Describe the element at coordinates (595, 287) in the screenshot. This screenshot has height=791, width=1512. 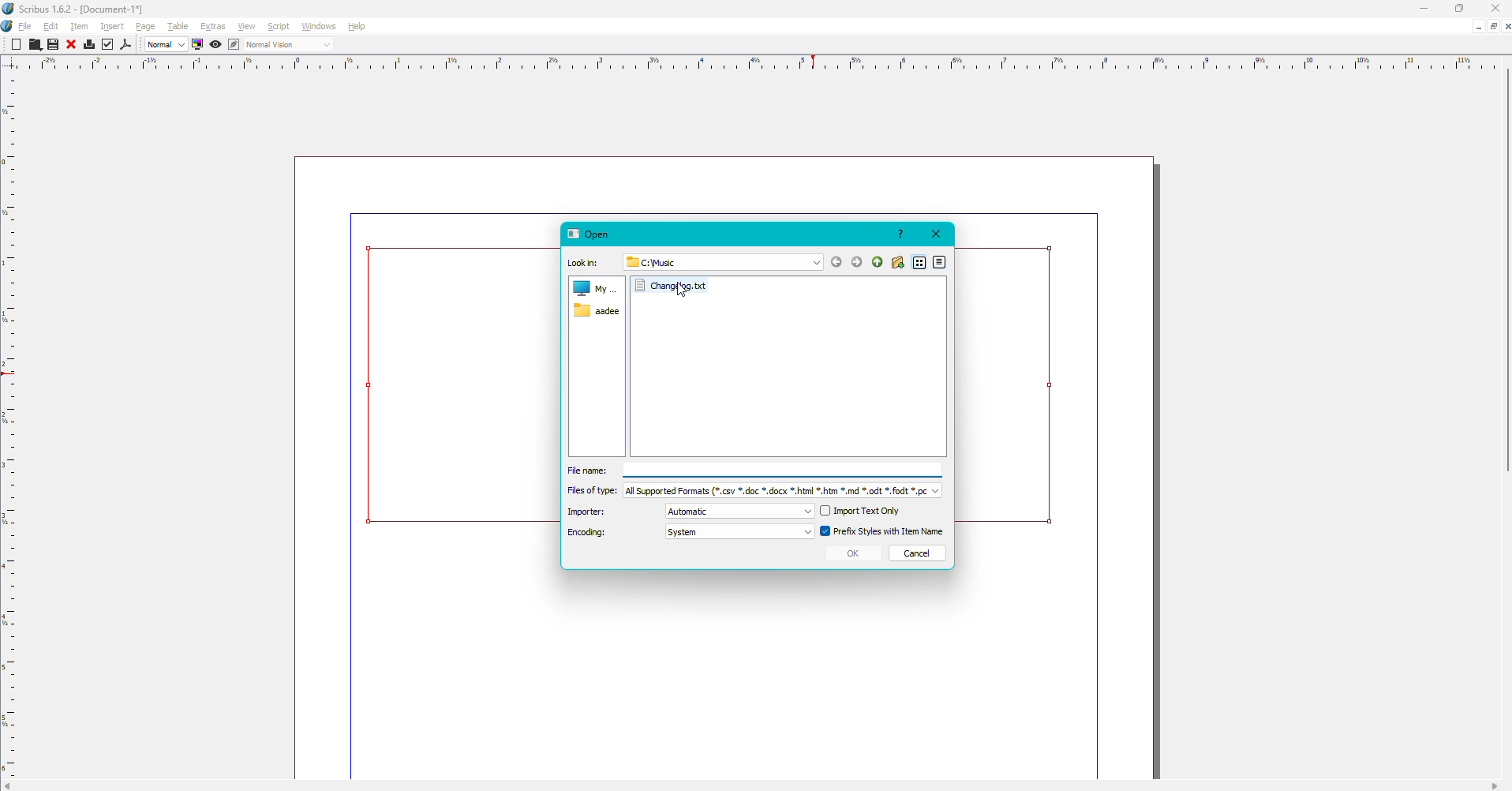
I see `My Computer` at that location.